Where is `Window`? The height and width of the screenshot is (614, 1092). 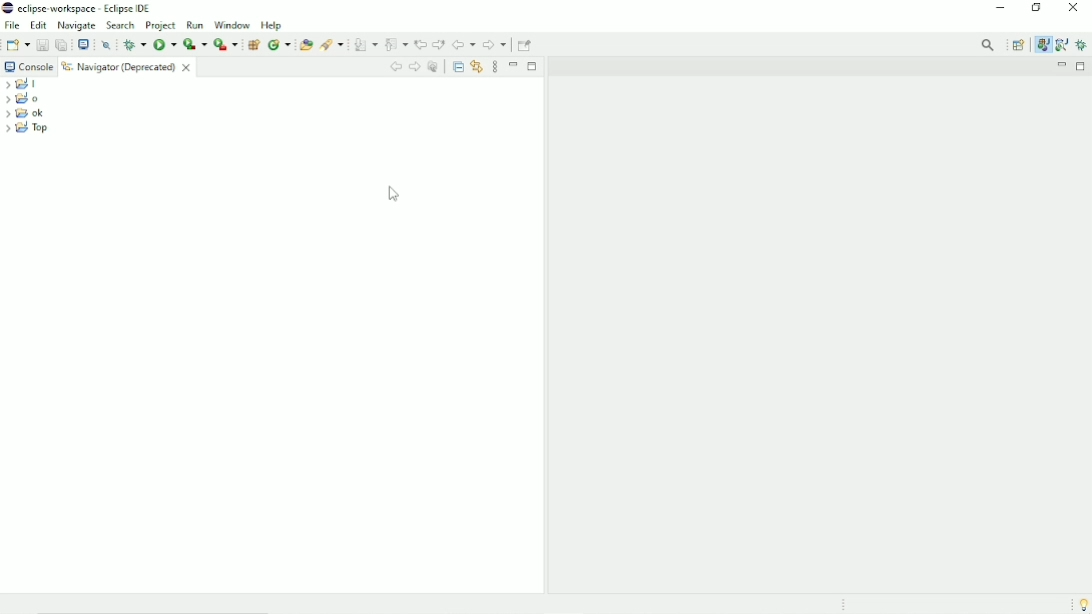
Window is located at coordinates (232, 25).